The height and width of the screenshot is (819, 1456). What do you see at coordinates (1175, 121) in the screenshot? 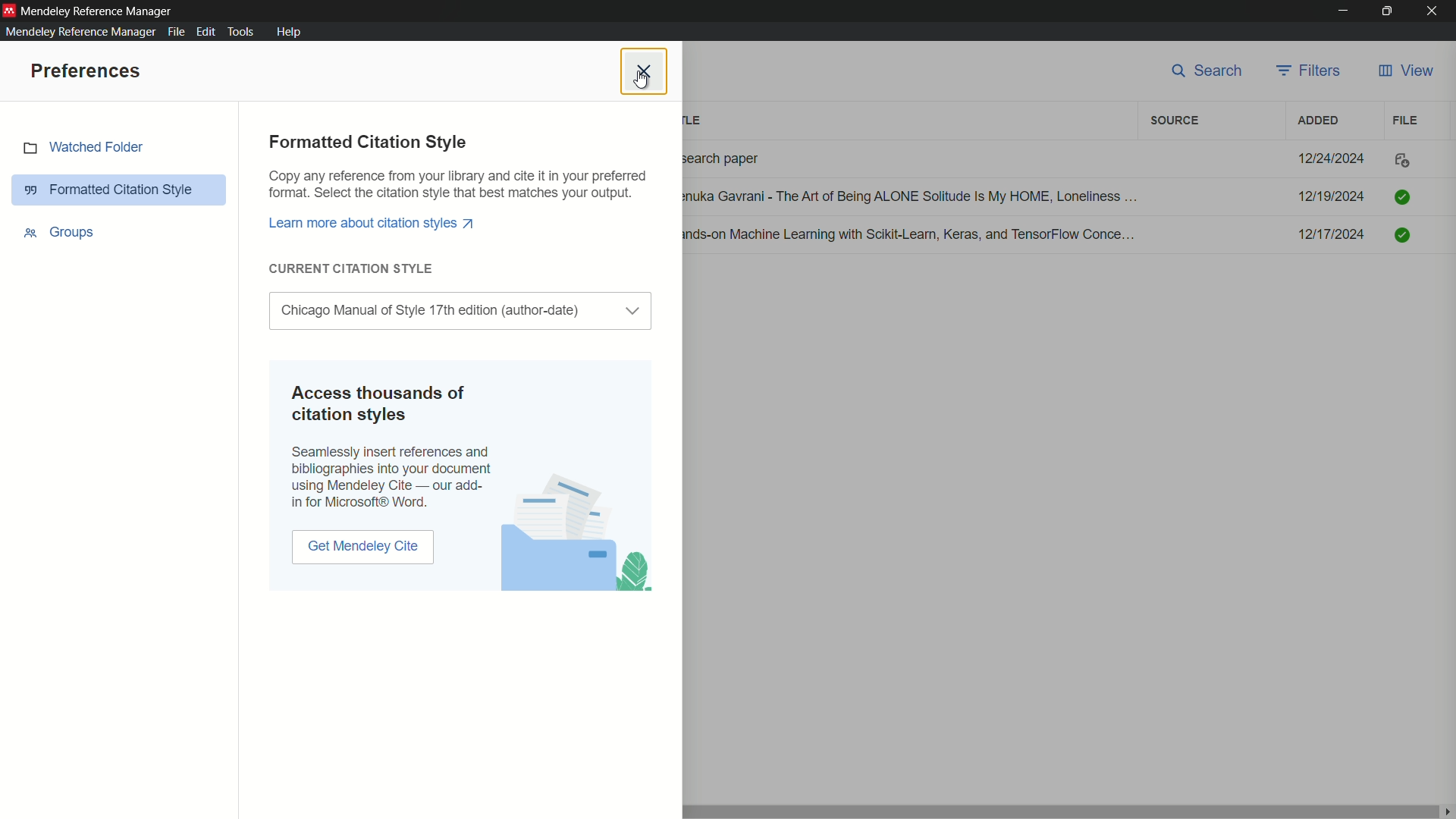
I see `source` at bounding box center [1175, 121].